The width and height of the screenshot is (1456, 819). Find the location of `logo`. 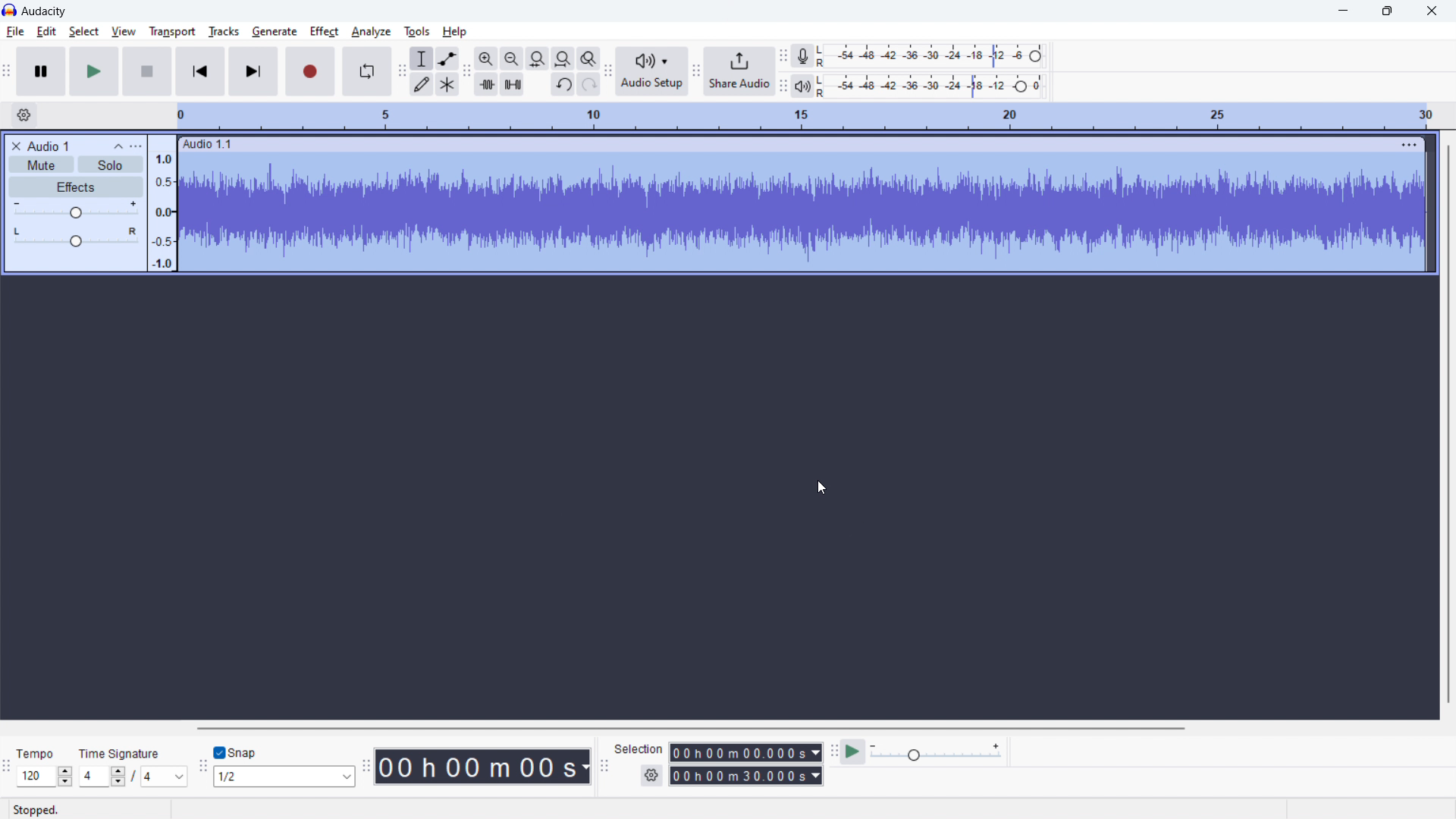

logo is located at coordinates (9, 11).